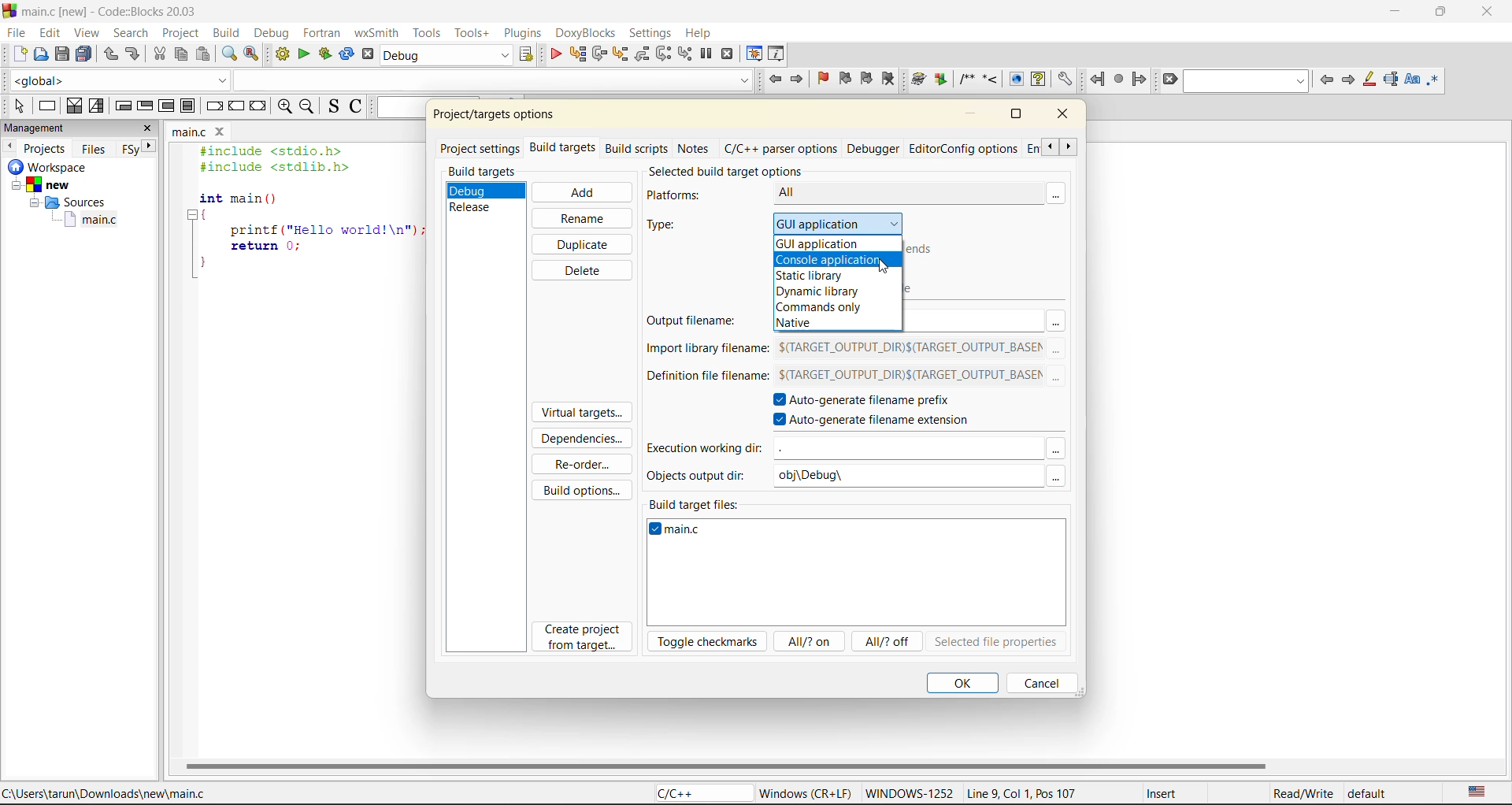 The image size is (1512, 805). I want to click on Open DoxyBlocks' preferences, so click(1063, 80).